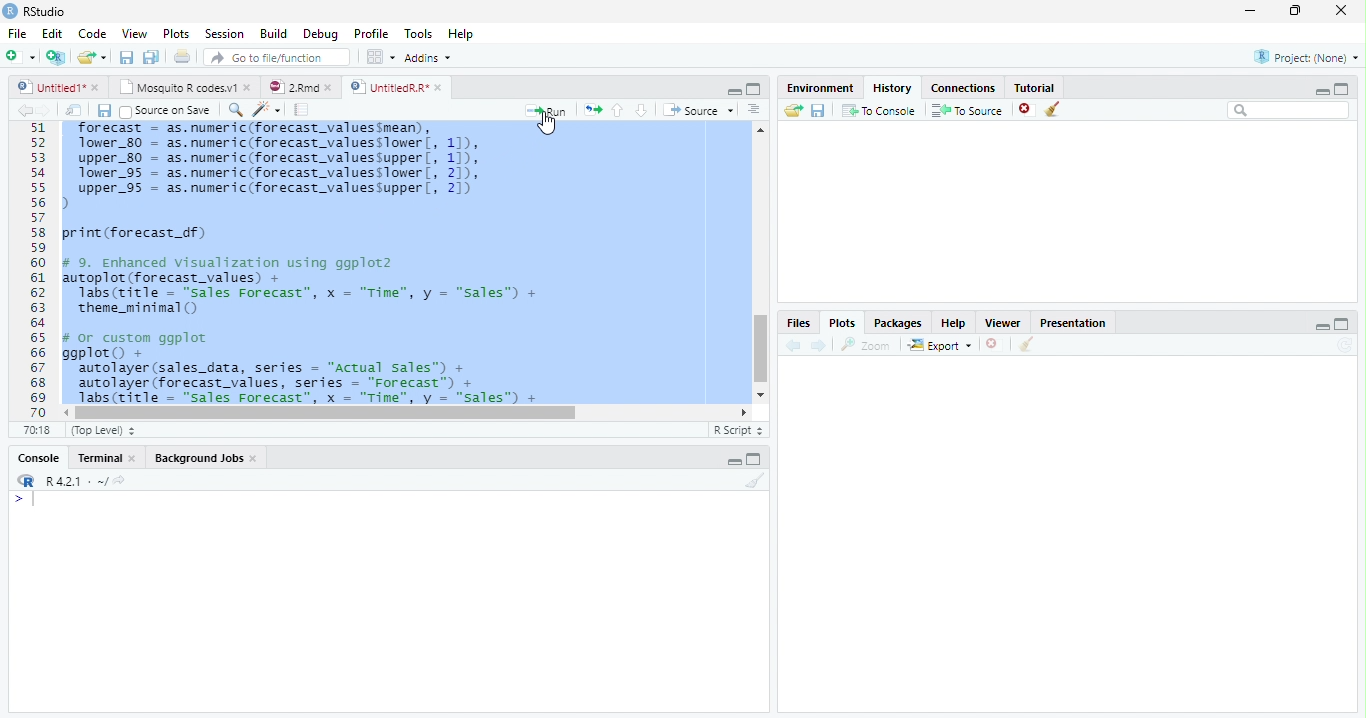  I want to click on Source, so click(699, 110).